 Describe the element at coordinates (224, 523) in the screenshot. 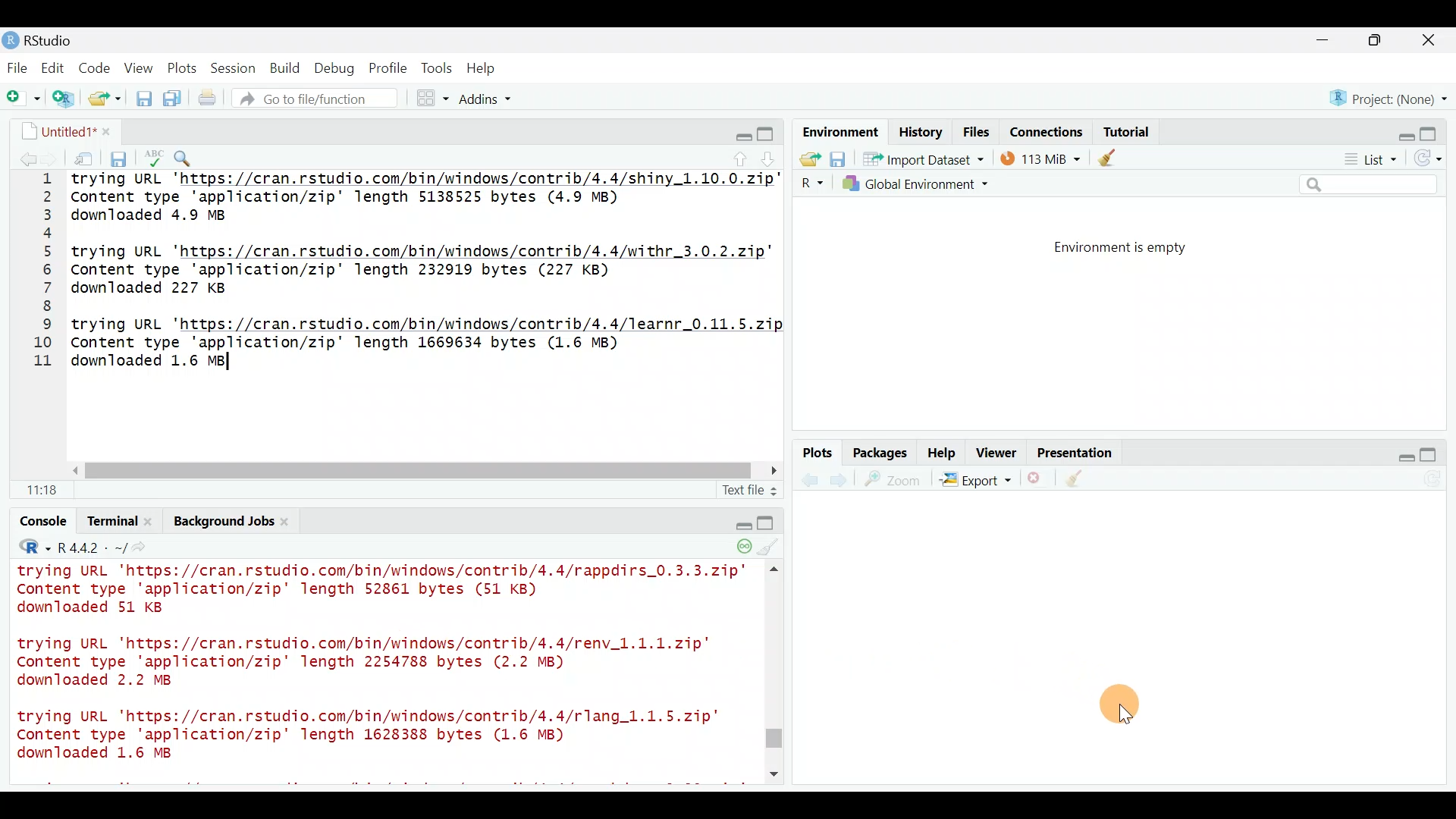

I see `Background Jobs` at that location.